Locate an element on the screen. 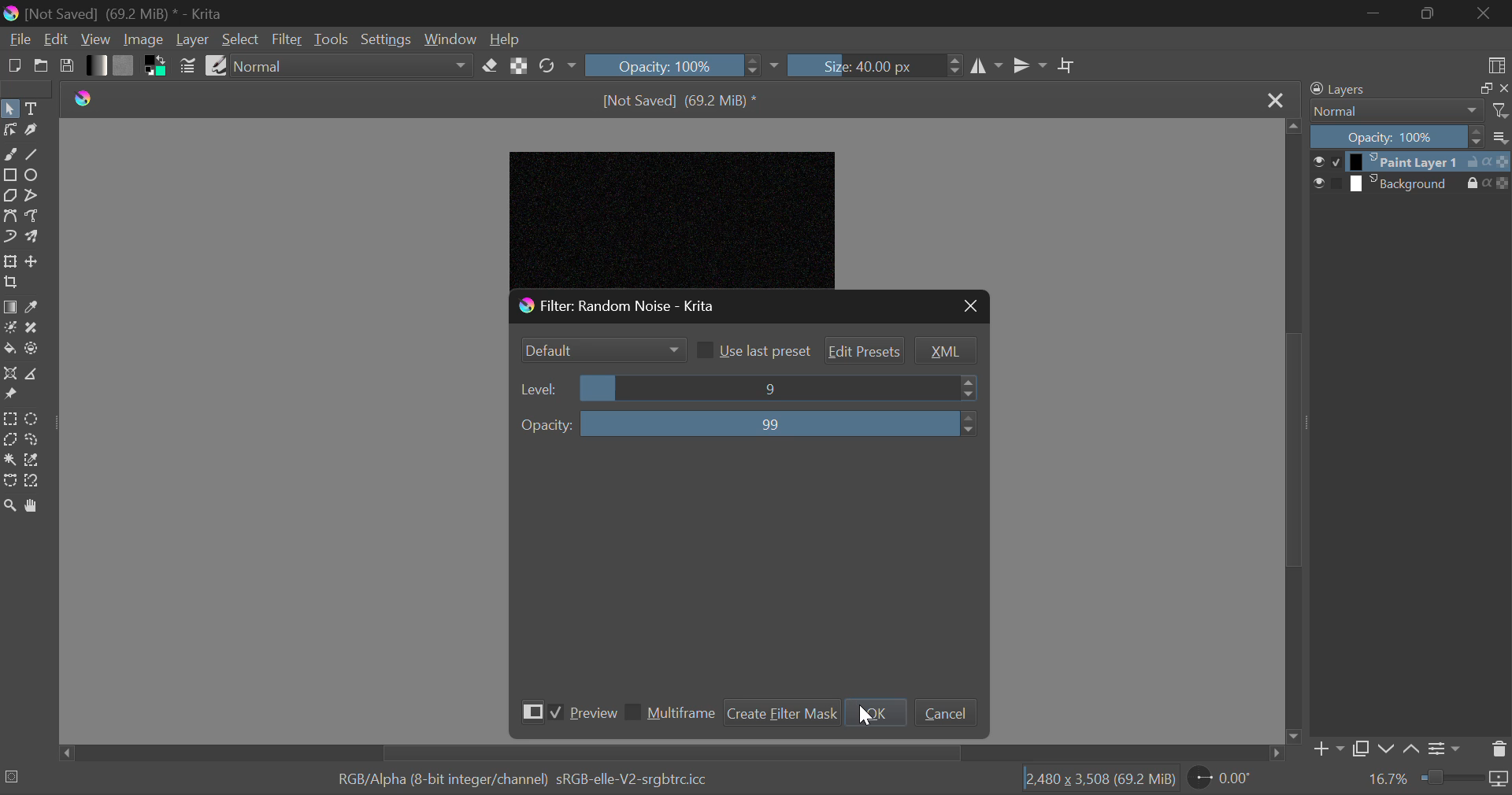  Brush Presets is located at coordinates (216, 65).